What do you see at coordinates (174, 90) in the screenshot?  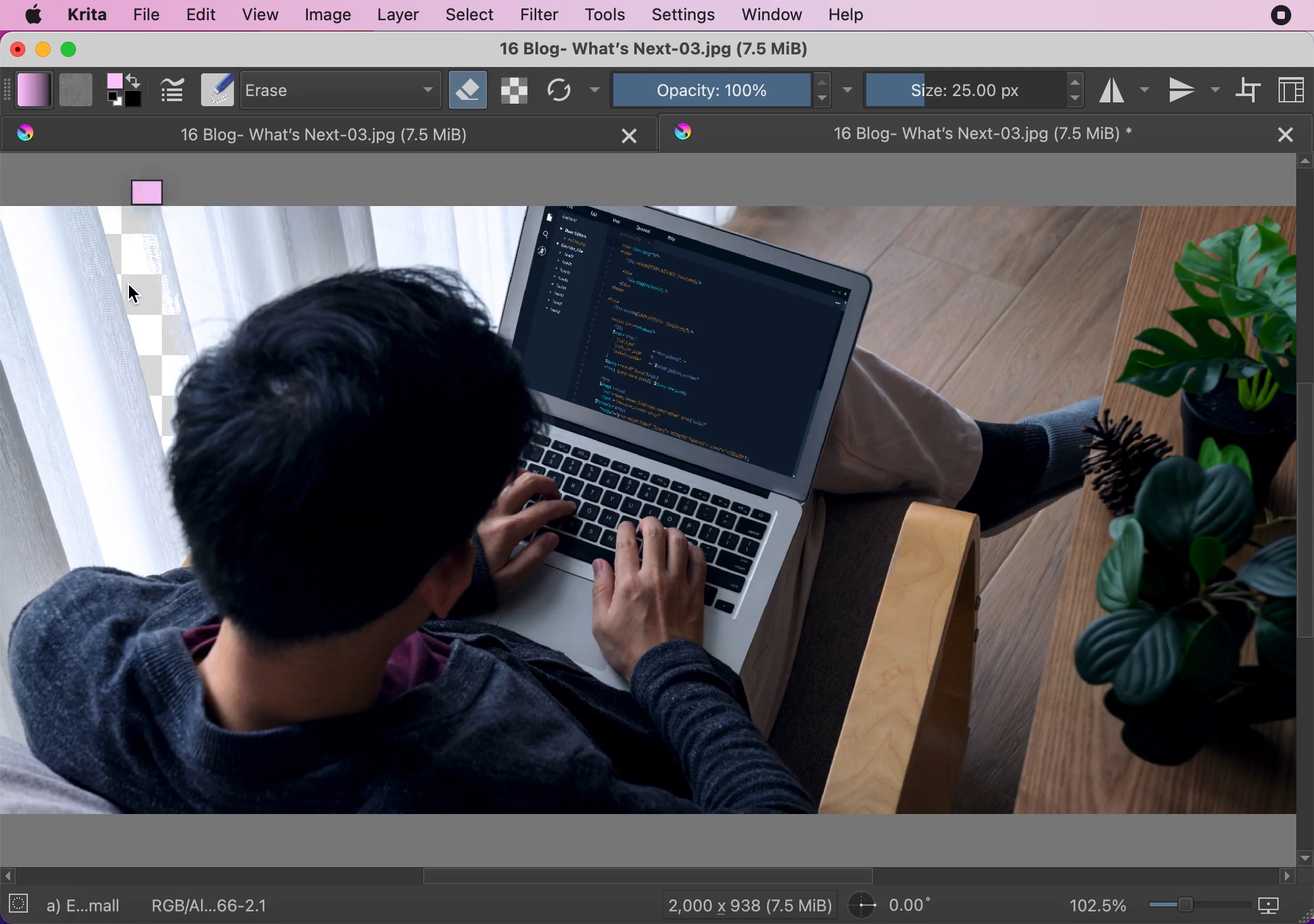 I see `edit brush settings` at bounding box center [174, 90].